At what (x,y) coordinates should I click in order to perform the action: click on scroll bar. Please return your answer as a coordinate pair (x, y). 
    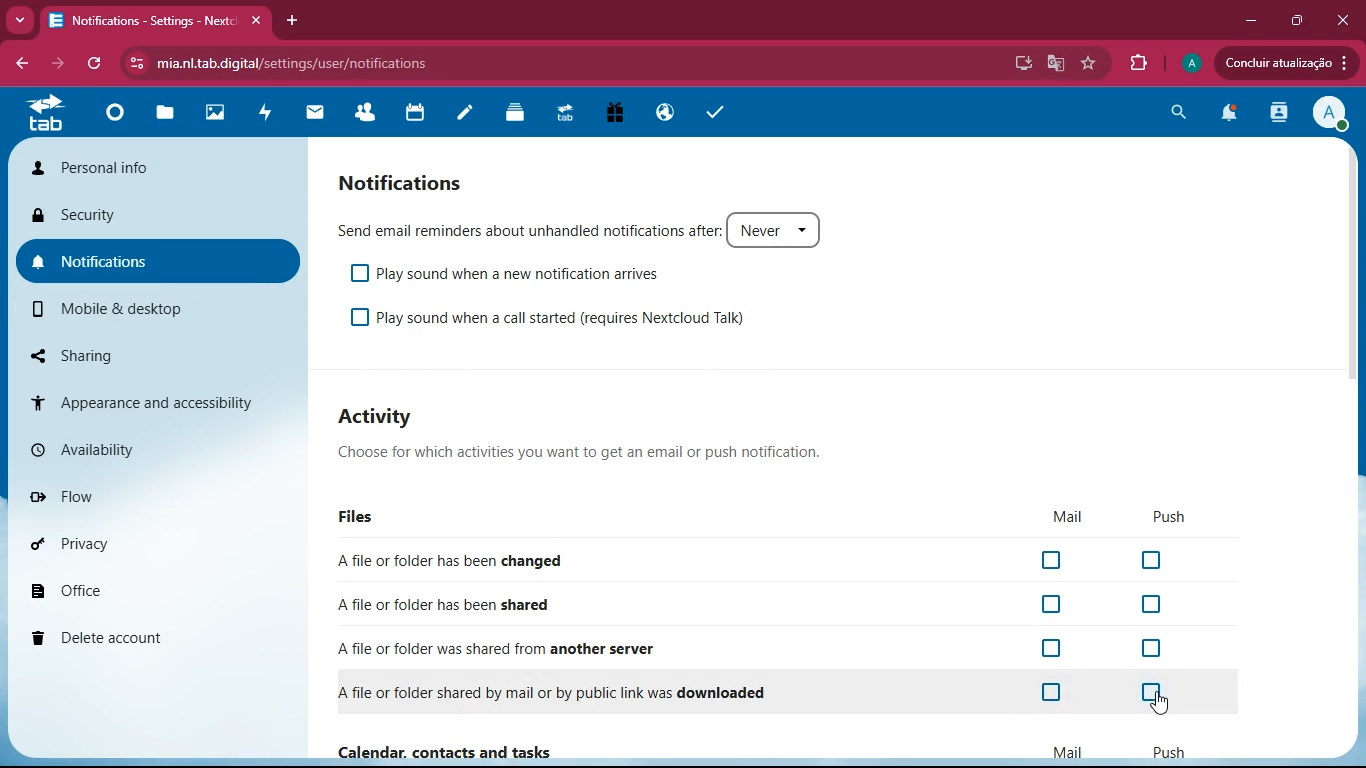
    Looking at the image, I should click on (1352, 296).